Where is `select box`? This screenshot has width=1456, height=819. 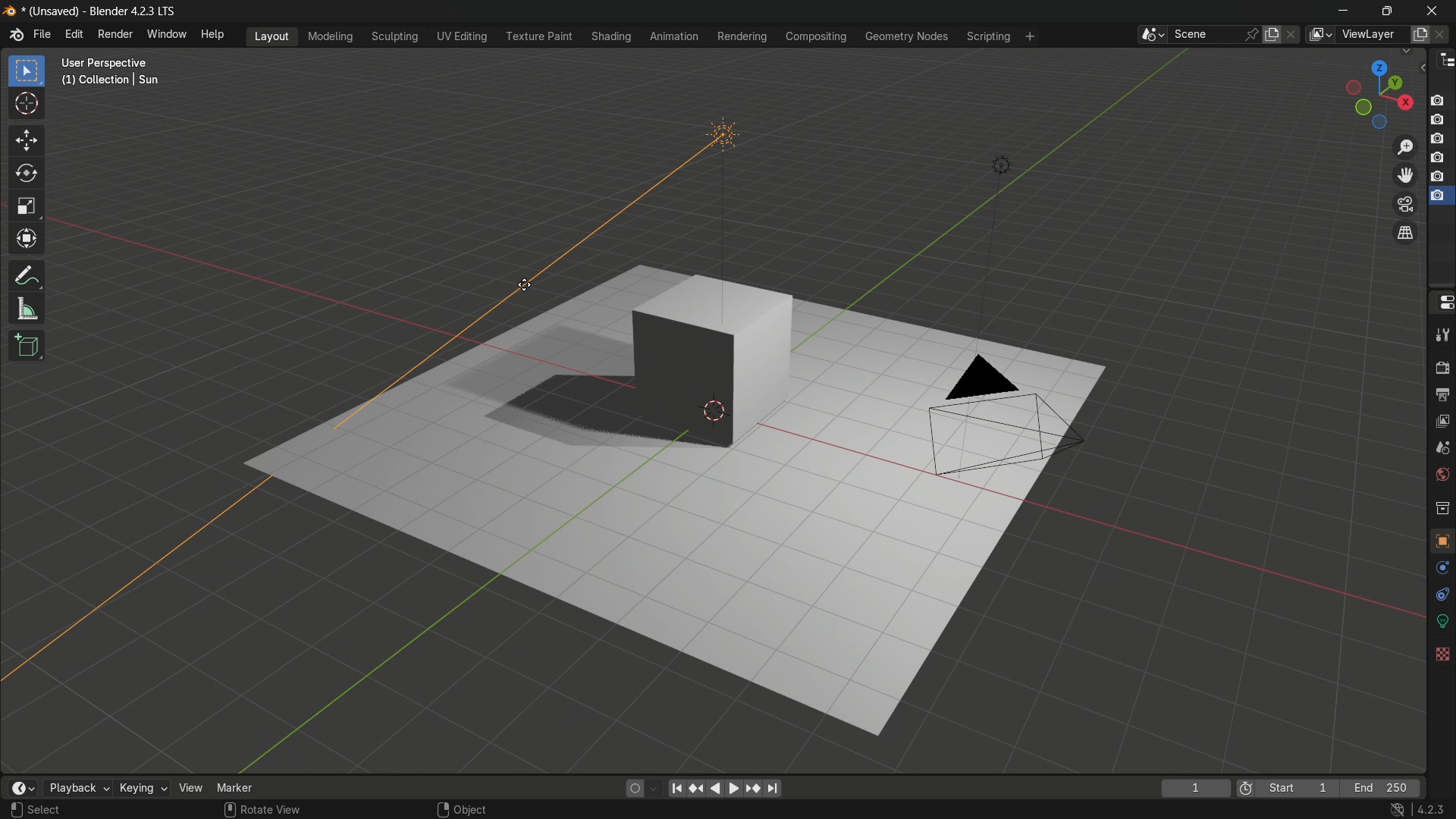 select box is located at coordinates (27, 71).